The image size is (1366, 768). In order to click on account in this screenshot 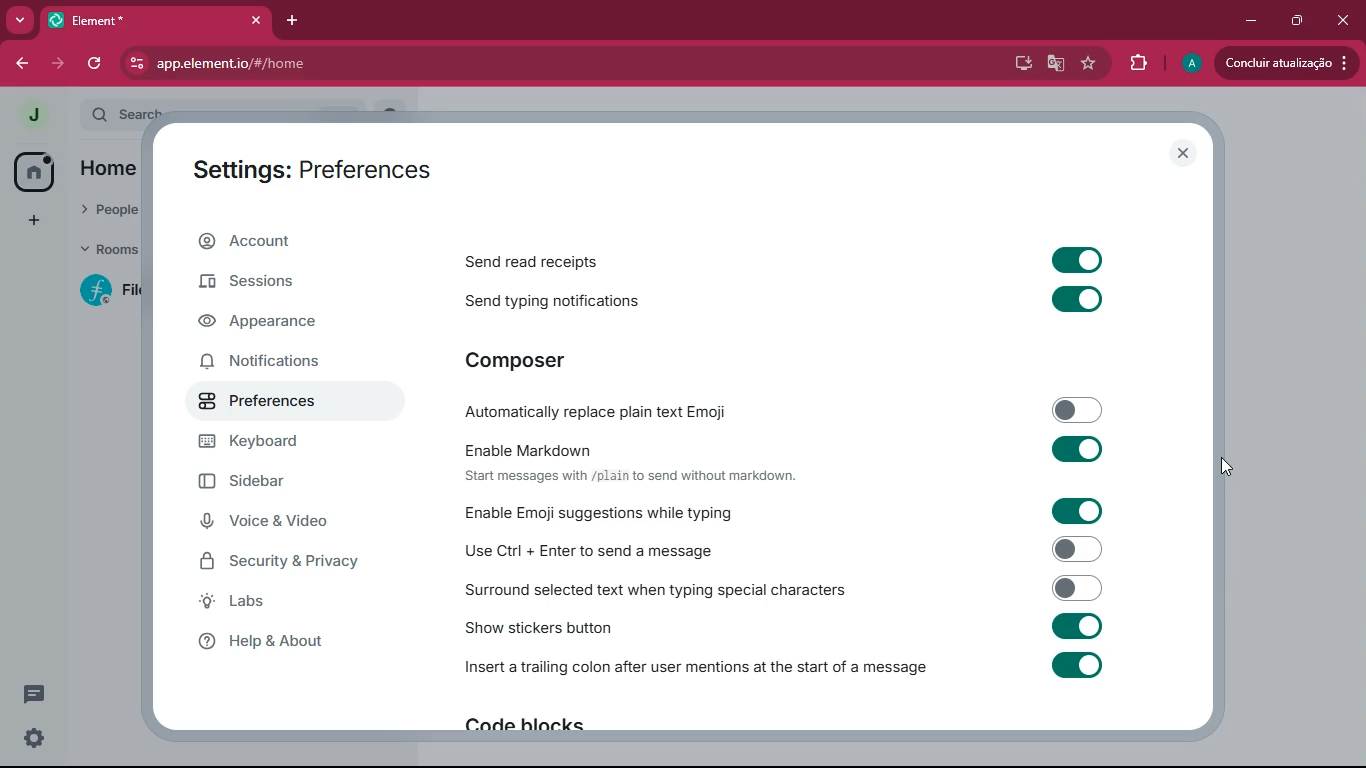, I will do `click(299, 242)`.